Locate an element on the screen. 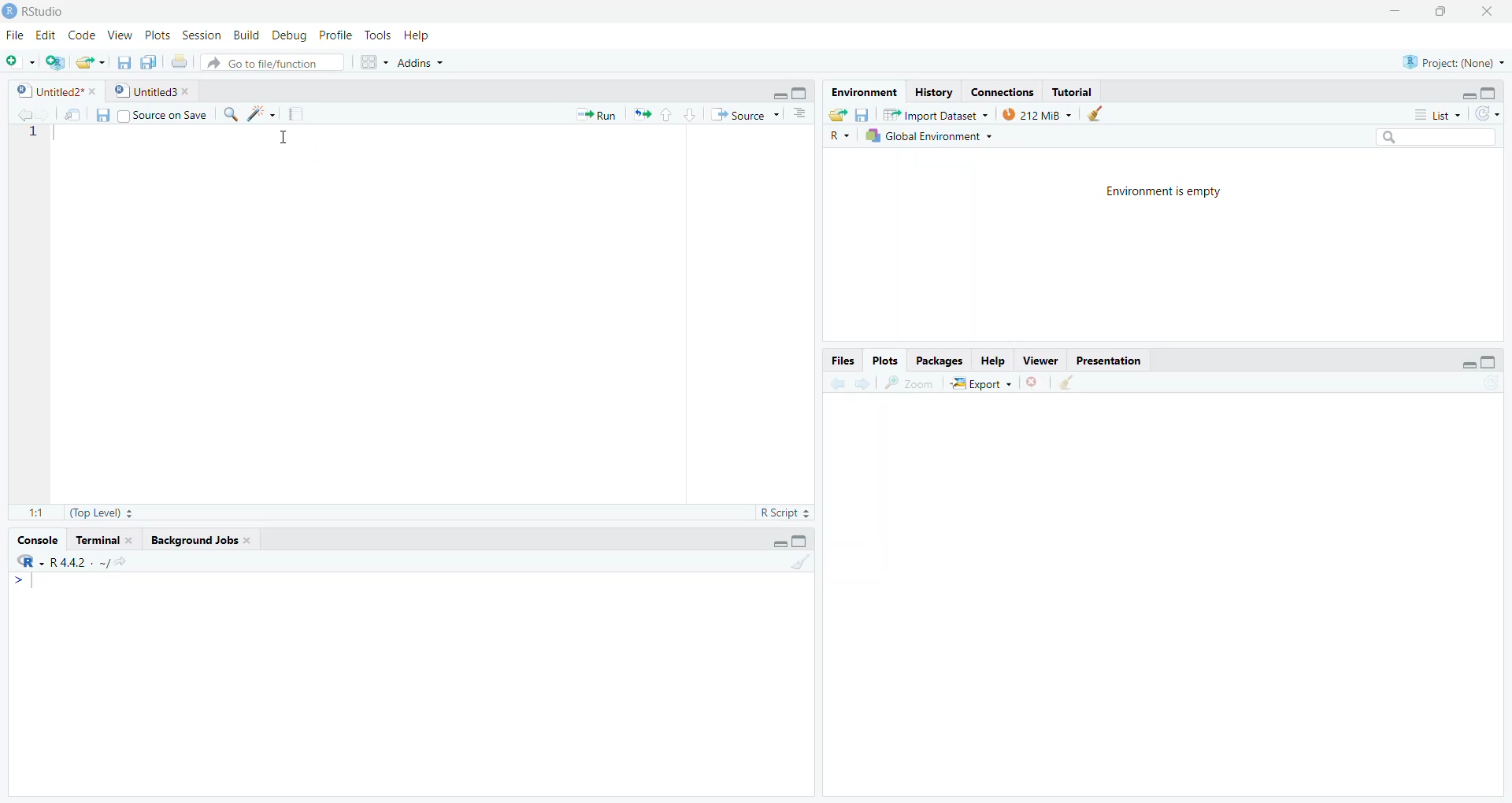  CLEAR is located at coordinates (806, 568).